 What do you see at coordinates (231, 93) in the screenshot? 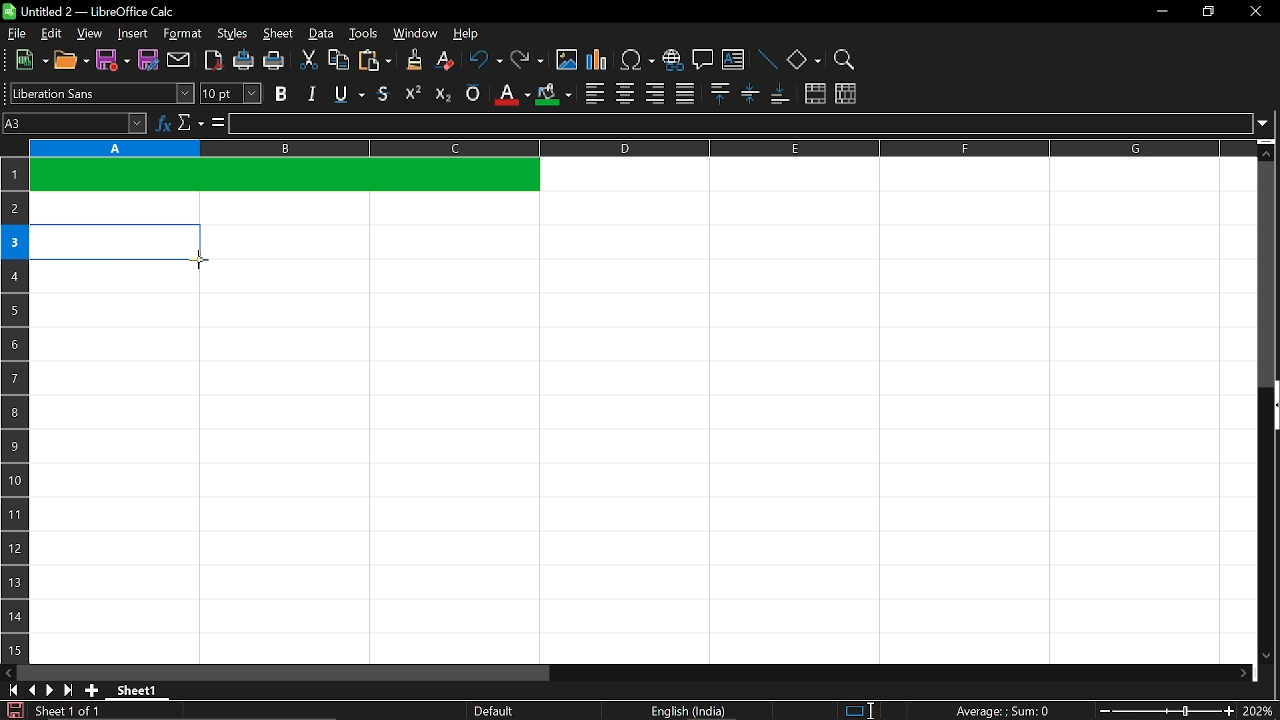
I see `text size` at bounding box center [231, 93].